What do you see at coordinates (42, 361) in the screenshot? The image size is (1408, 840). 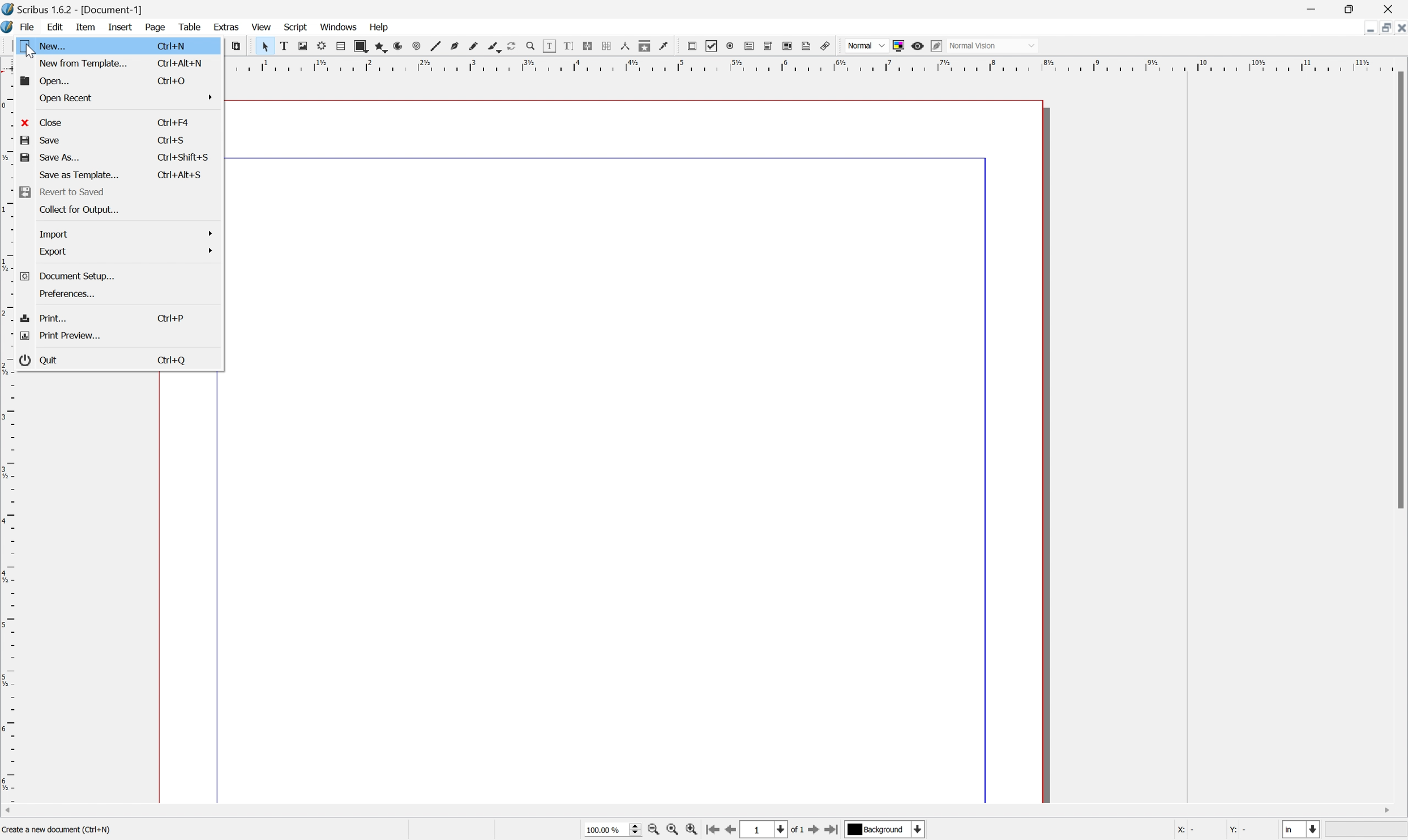 I see `quit` at bounding box center [42, 361].